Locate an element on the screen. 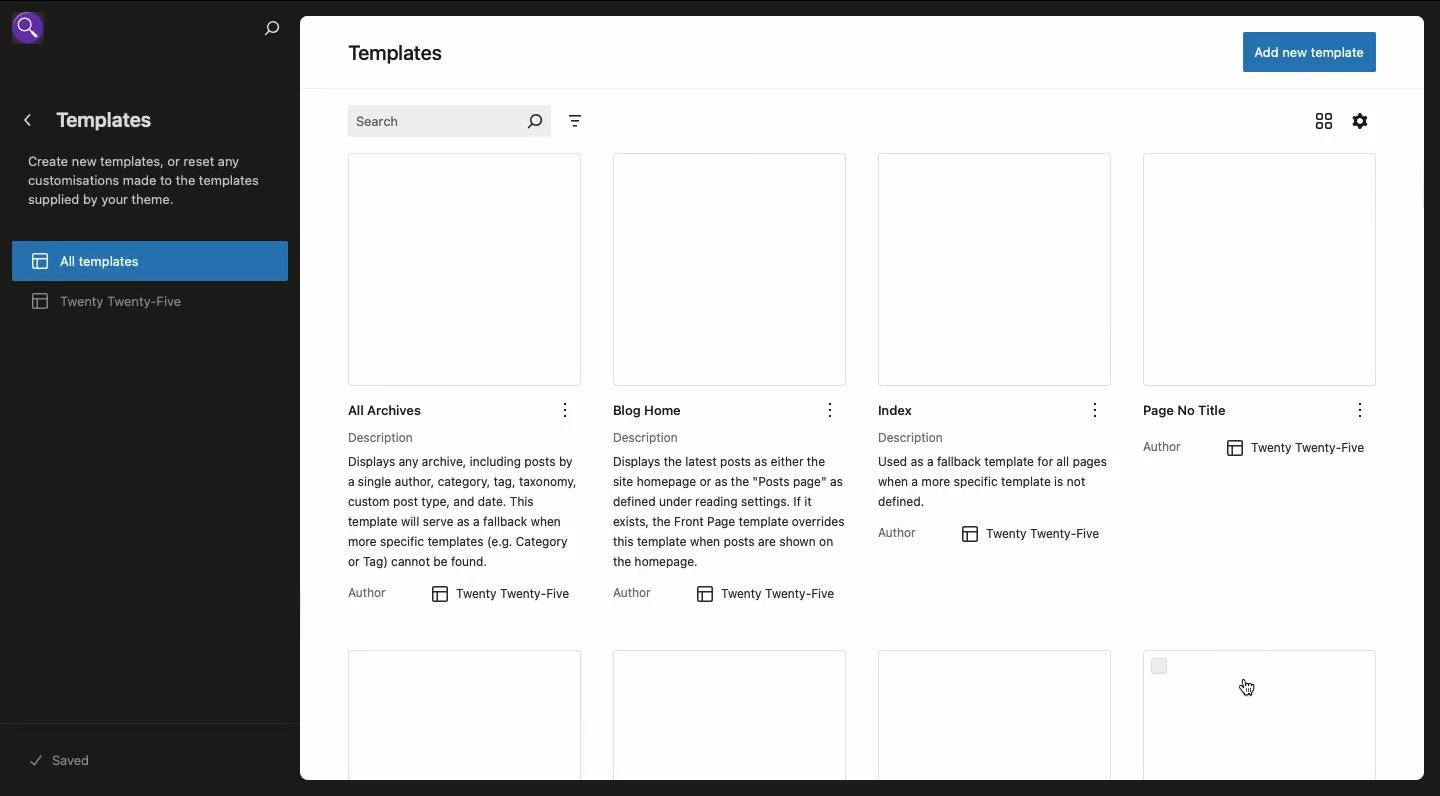 This screenshot has width=1440, height=796. Options is located at coordinates (1359, 407).